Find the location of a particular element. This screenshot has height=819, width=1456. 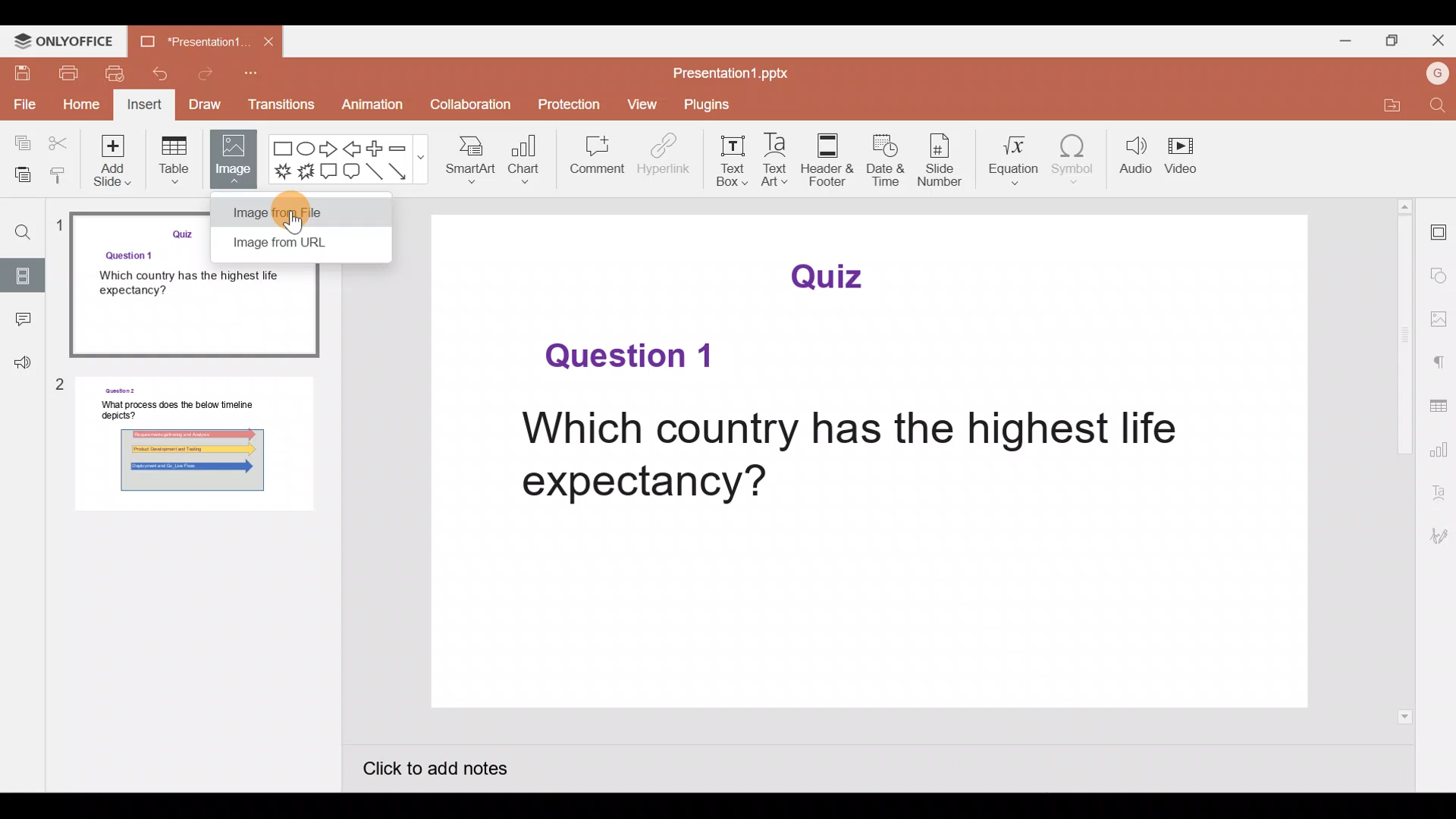

Print file is located at coordinates (71, 75).